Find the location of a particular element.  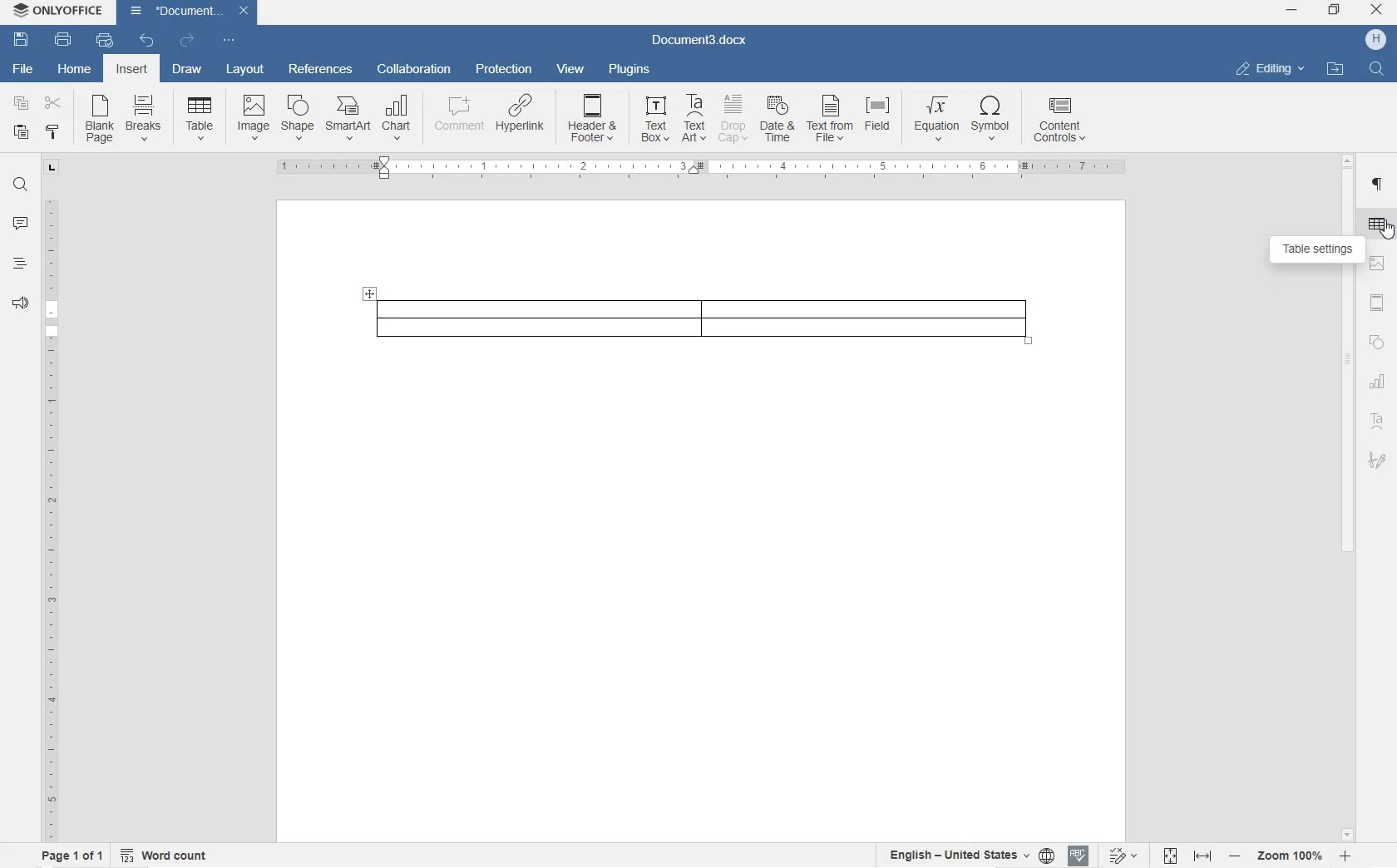

TAB is located at coordinates (52, 167).